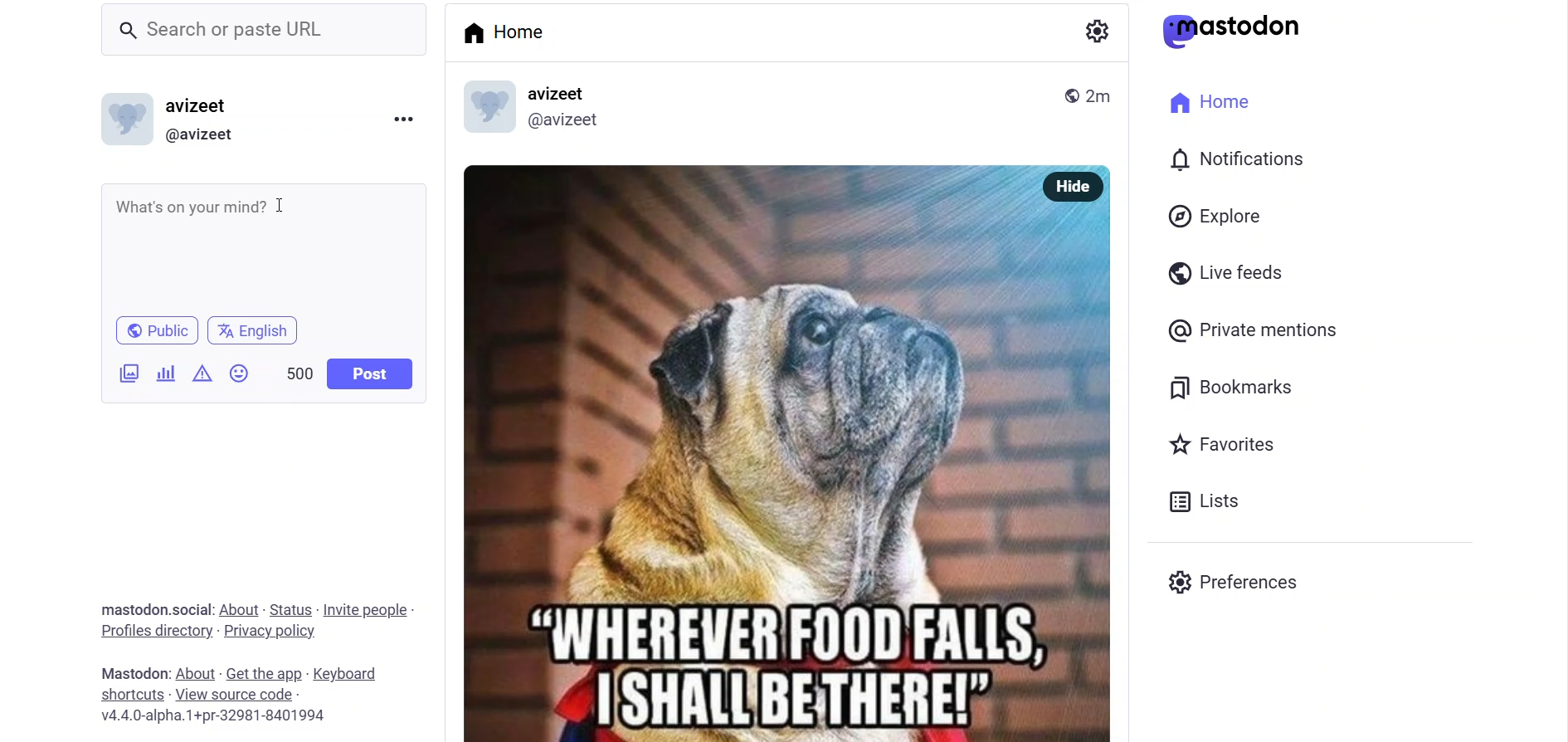 Image resolution: width=1568 pixels, height=742 pixels. What do you see at coordinates (196, 672) in the screenshot?
I see `about` at bounding box center [196, 672].